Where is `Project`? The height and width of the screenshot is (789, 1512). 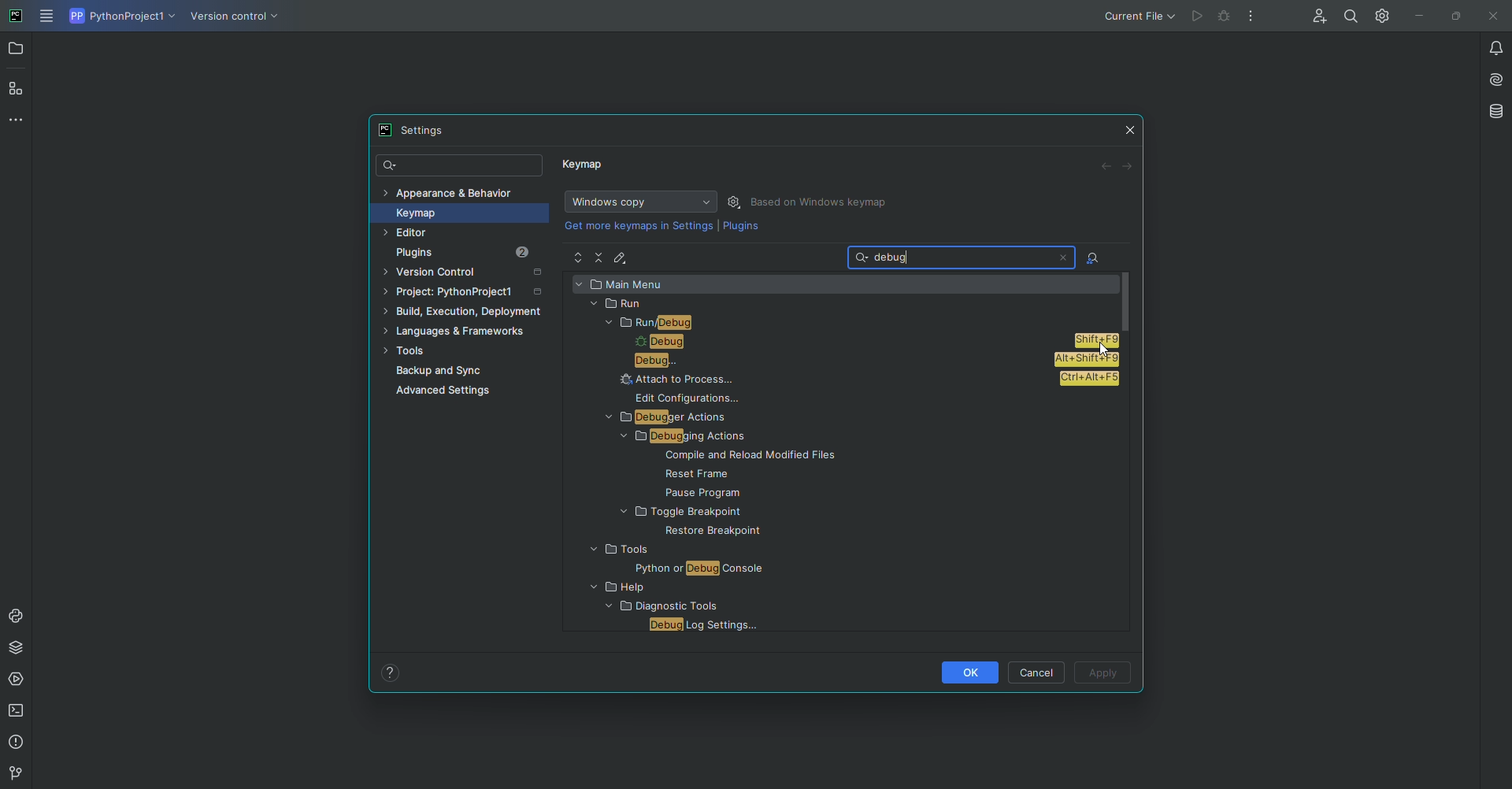 Project is located at coordinates (17, 50).